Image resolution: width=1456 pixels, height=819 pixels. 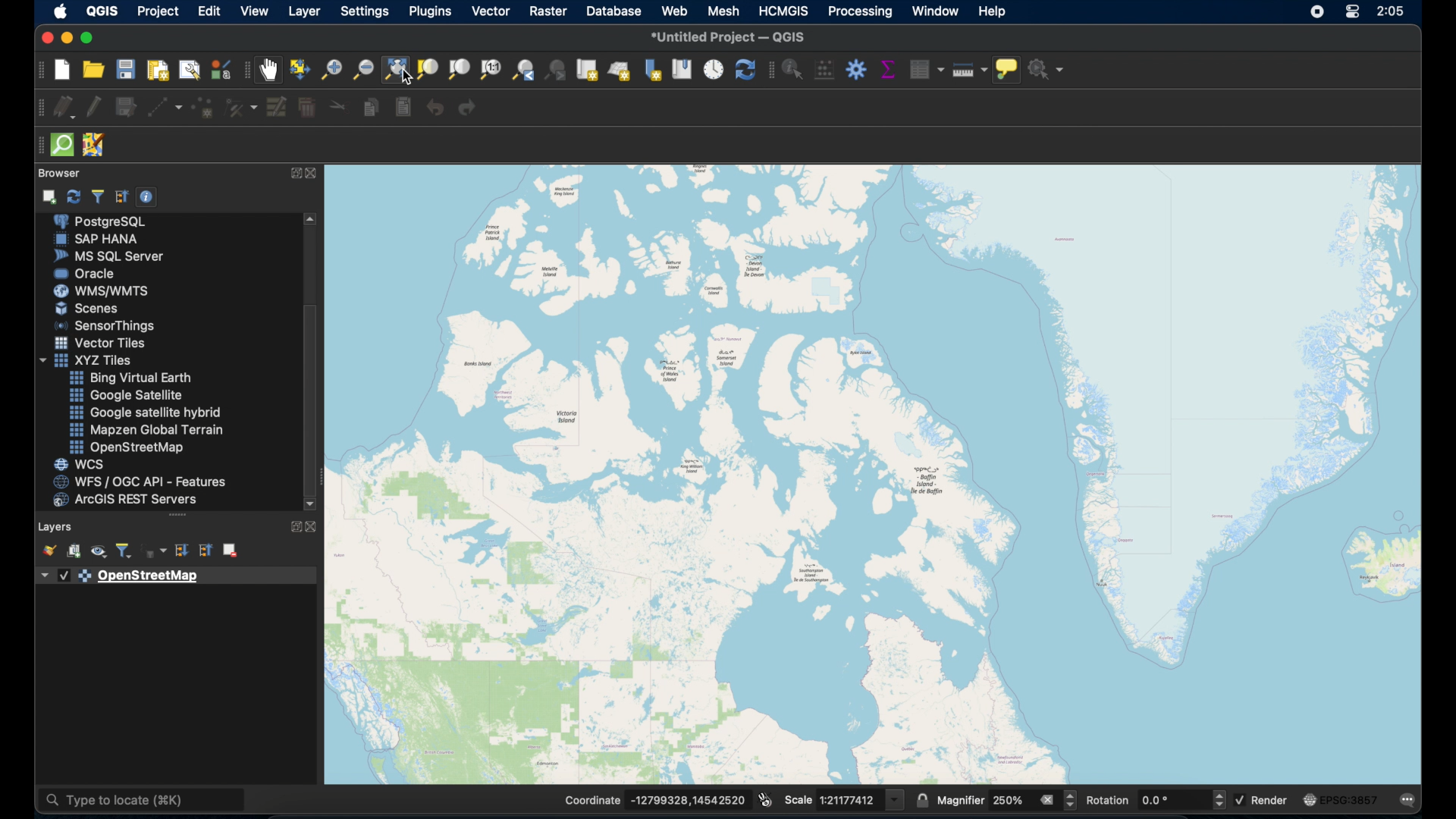 What do you see at coordinates (770, 71) in the screenshot?
I see `attributes toolbar` at bounding box center [770, 71].